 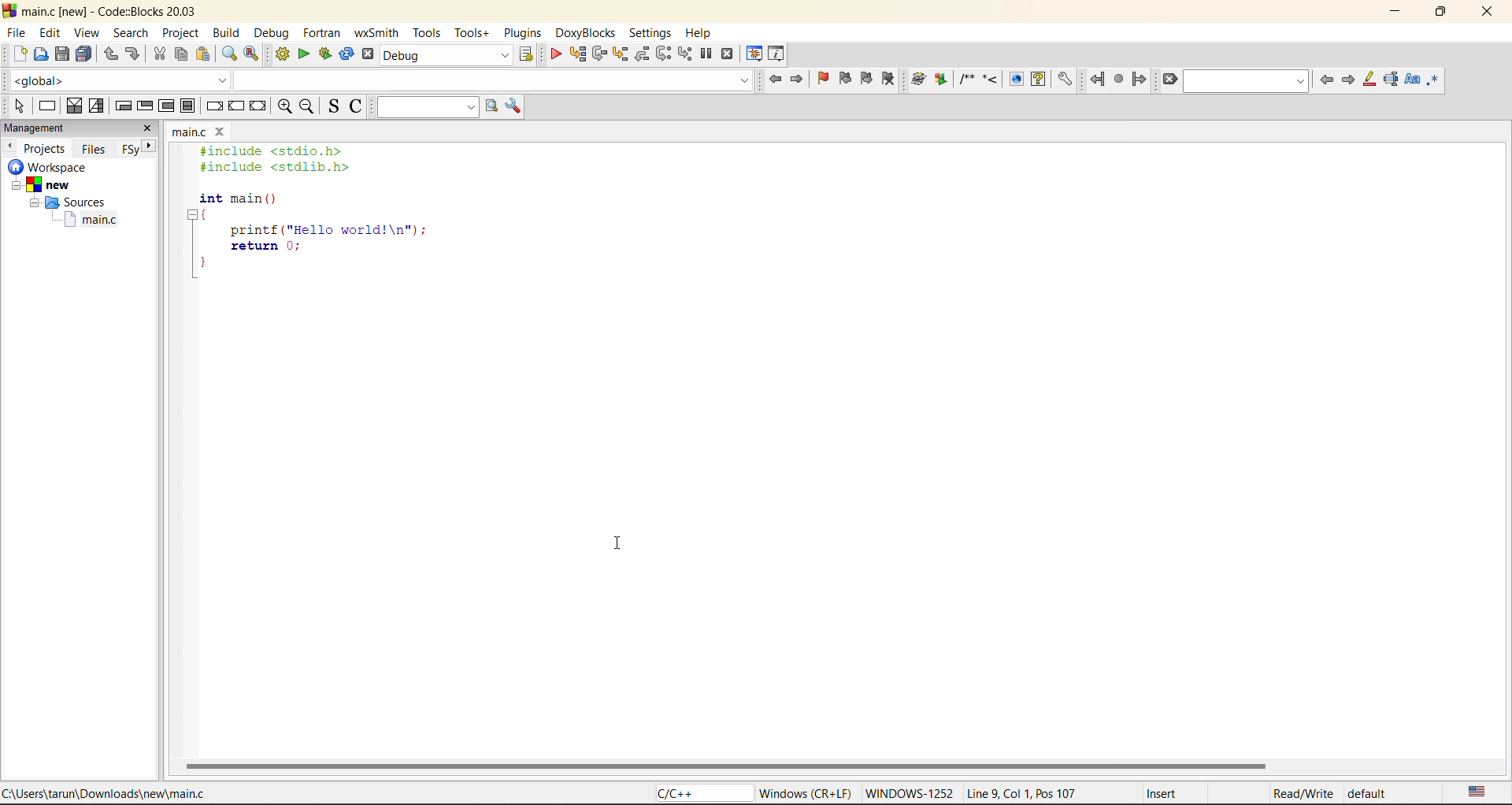 What do you see at coordinates (1117, 80) in the screenshot?
I see `last jump` at bounding box center [1117, 80].